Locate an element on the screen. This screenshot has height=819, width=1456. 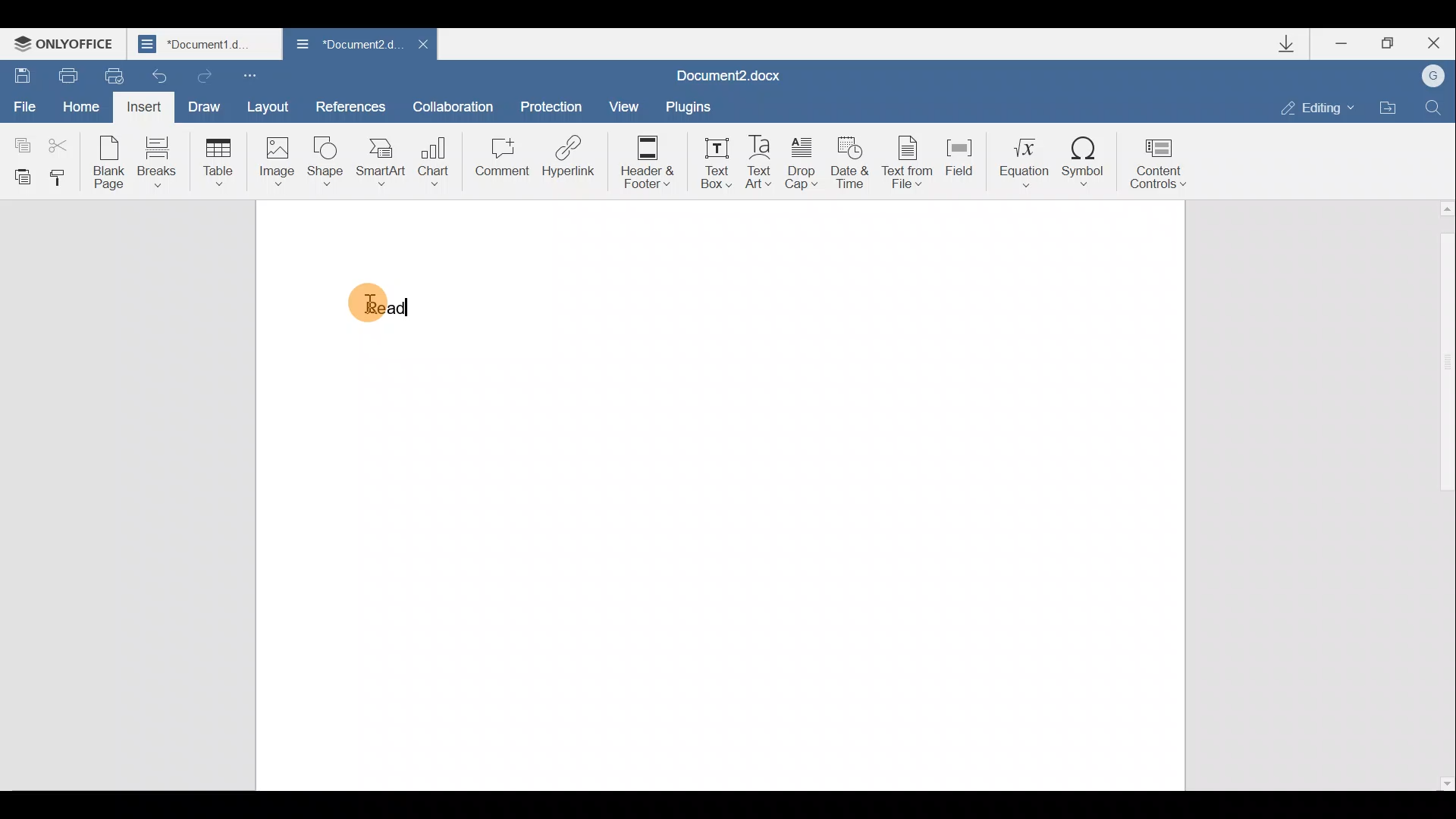
Copy is located at coordinates (20, 137).